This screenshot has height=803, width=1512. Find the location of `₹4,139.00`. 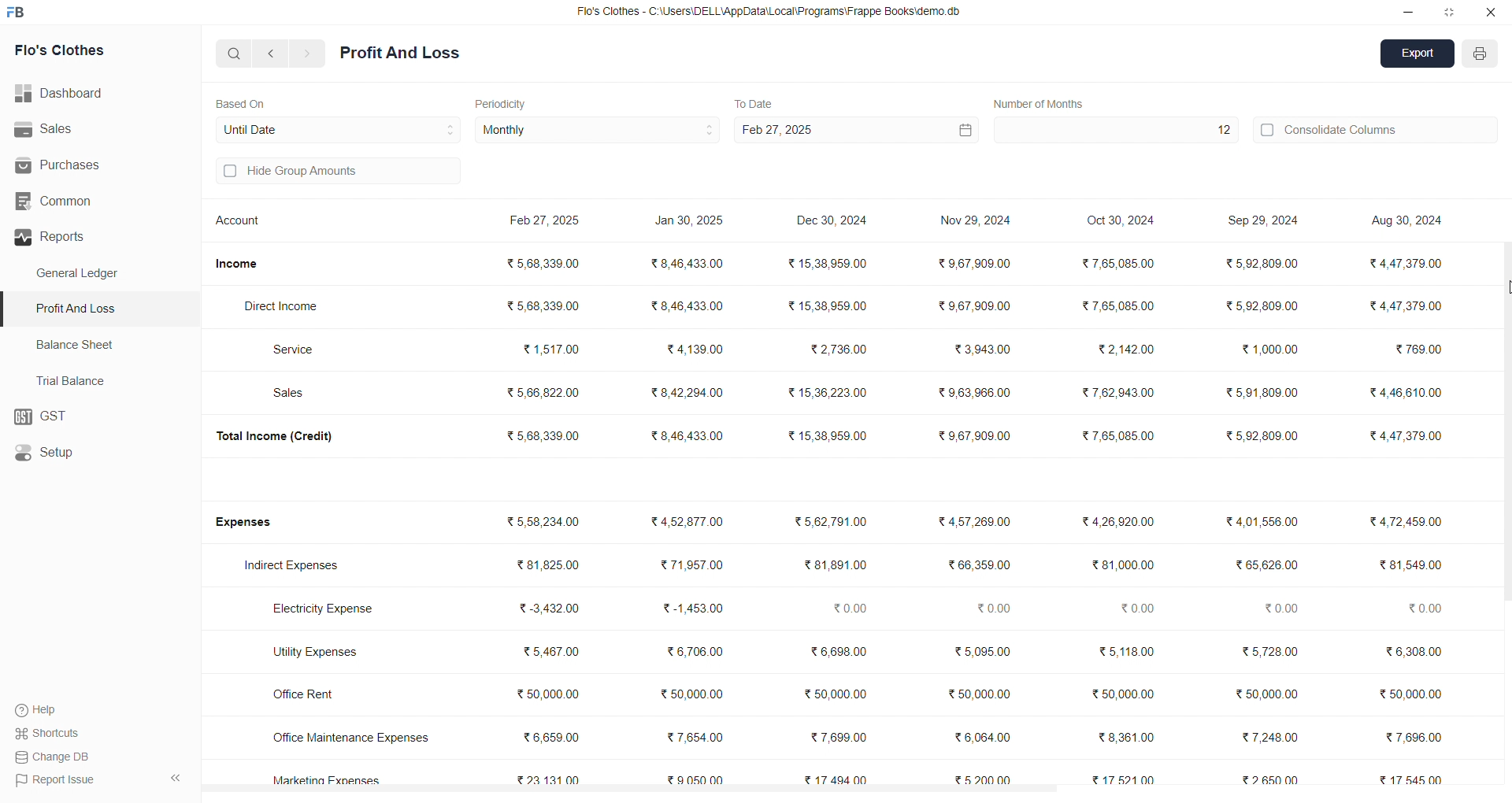

₹4,139.00 is located at coordinates (695, 350).